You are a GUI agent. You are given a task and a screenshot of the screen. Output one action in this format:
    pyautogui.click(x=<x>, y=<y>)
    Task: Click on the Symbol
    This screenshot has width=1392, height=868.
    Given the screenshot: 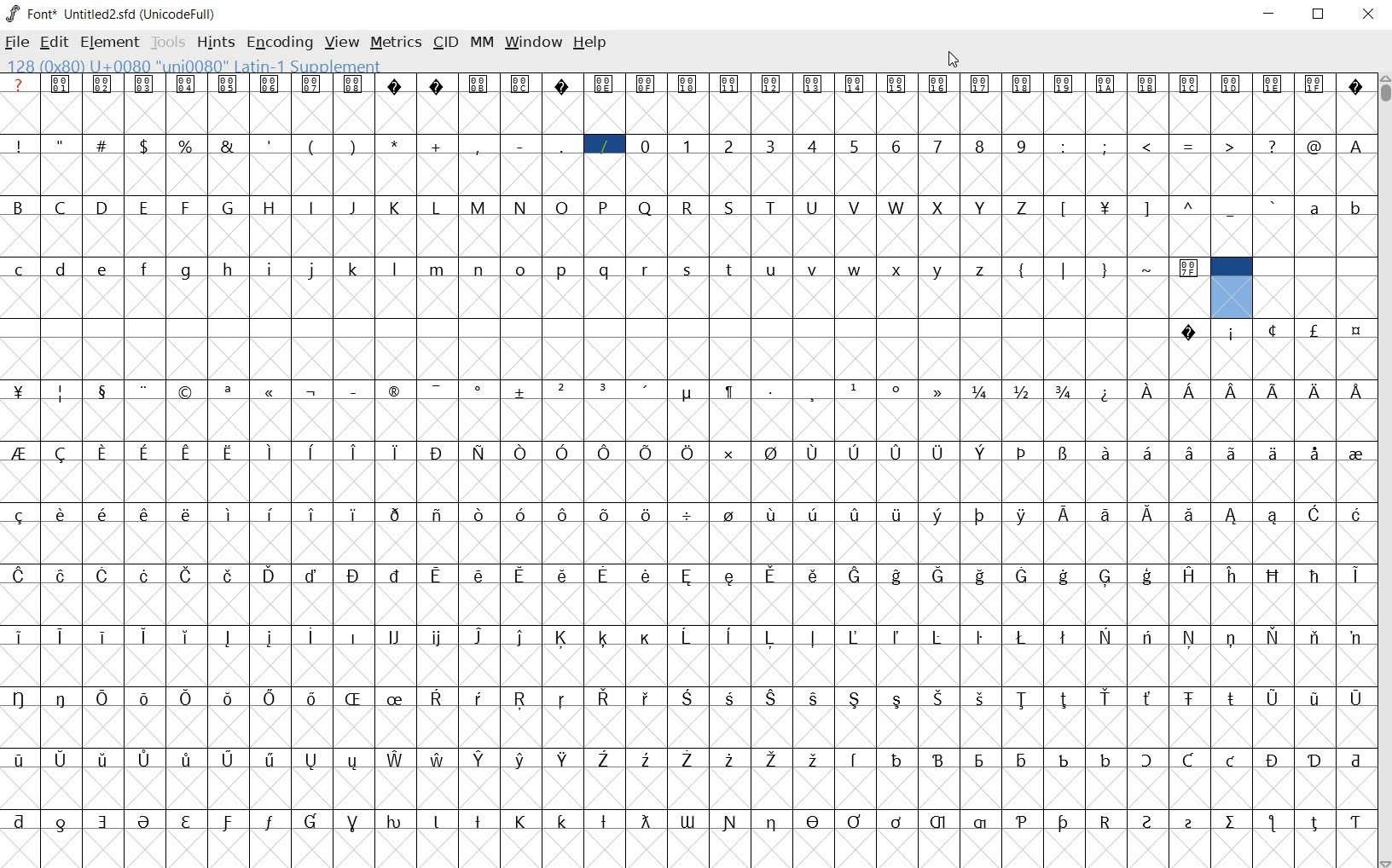 What is the action you would take?
    pyautogui.click(x=644, y=820)
    